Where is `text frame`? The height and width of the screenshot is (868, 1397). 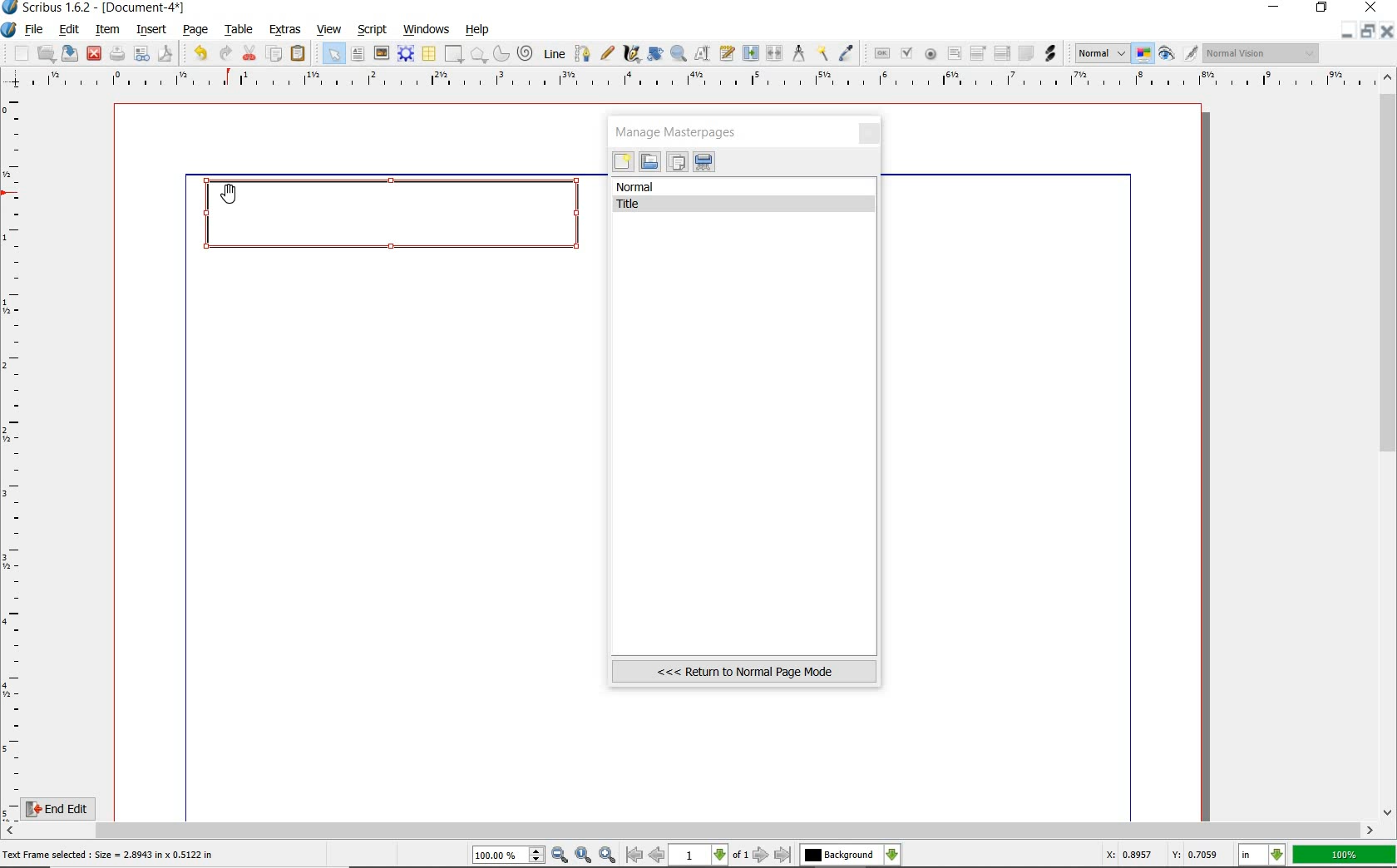
text frame is located at coordinates (359, 54).